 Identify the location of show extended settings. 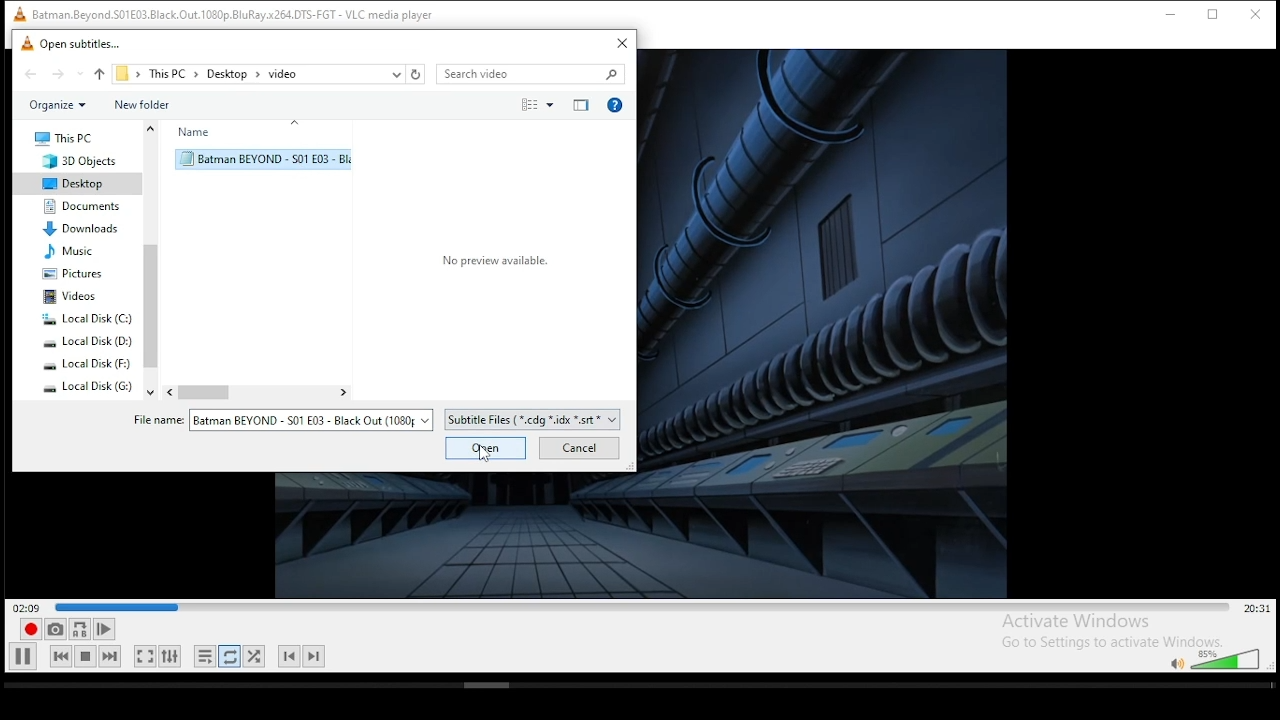
(170, 656).